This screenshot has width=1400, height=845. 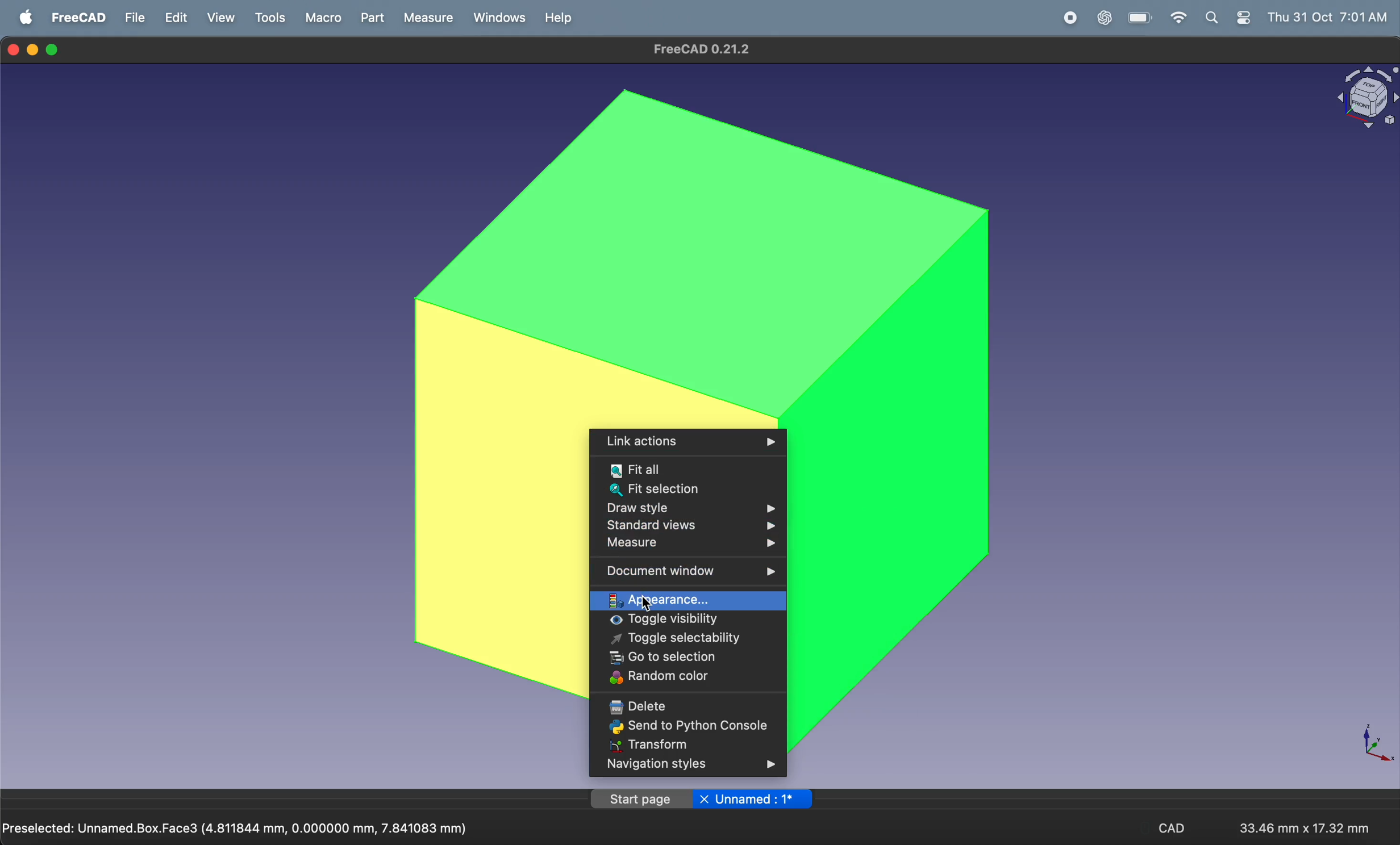 I want to click on file, so click(x=134, y=17).